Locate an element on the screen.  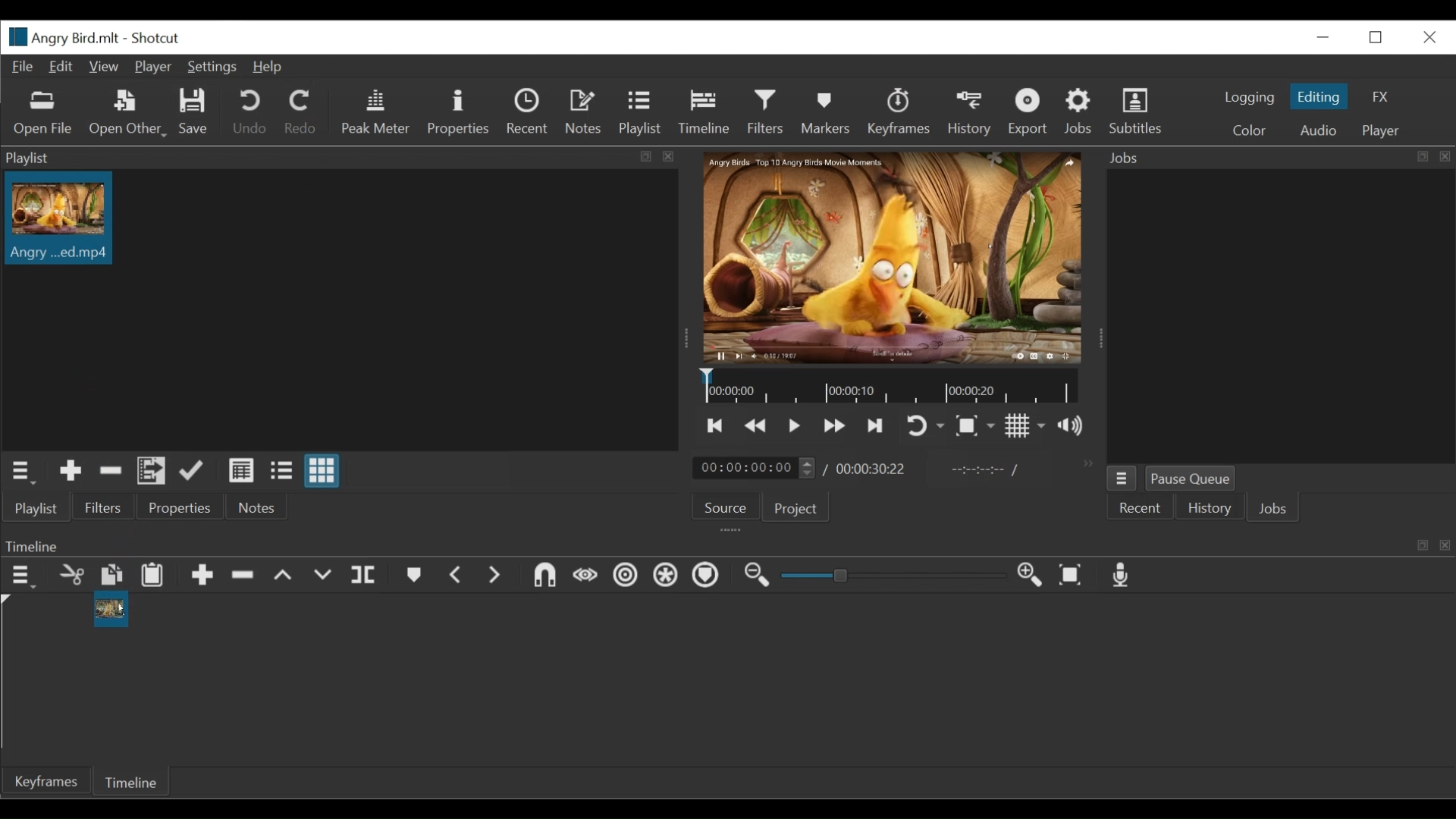
Skip to the next point is located at coordinates (875, 427).